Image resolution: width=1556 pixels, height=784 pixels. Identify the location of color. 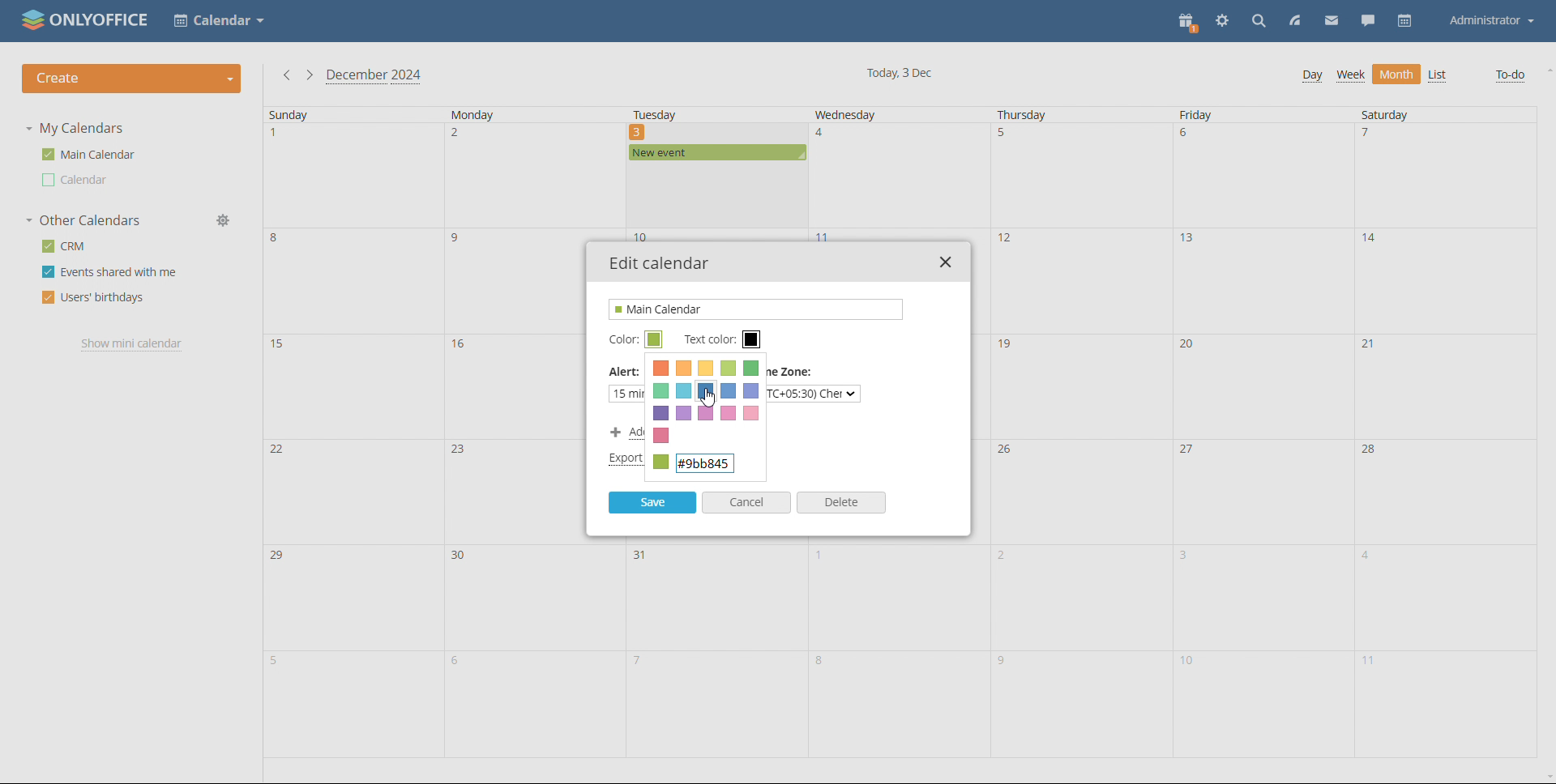
(622, 340).